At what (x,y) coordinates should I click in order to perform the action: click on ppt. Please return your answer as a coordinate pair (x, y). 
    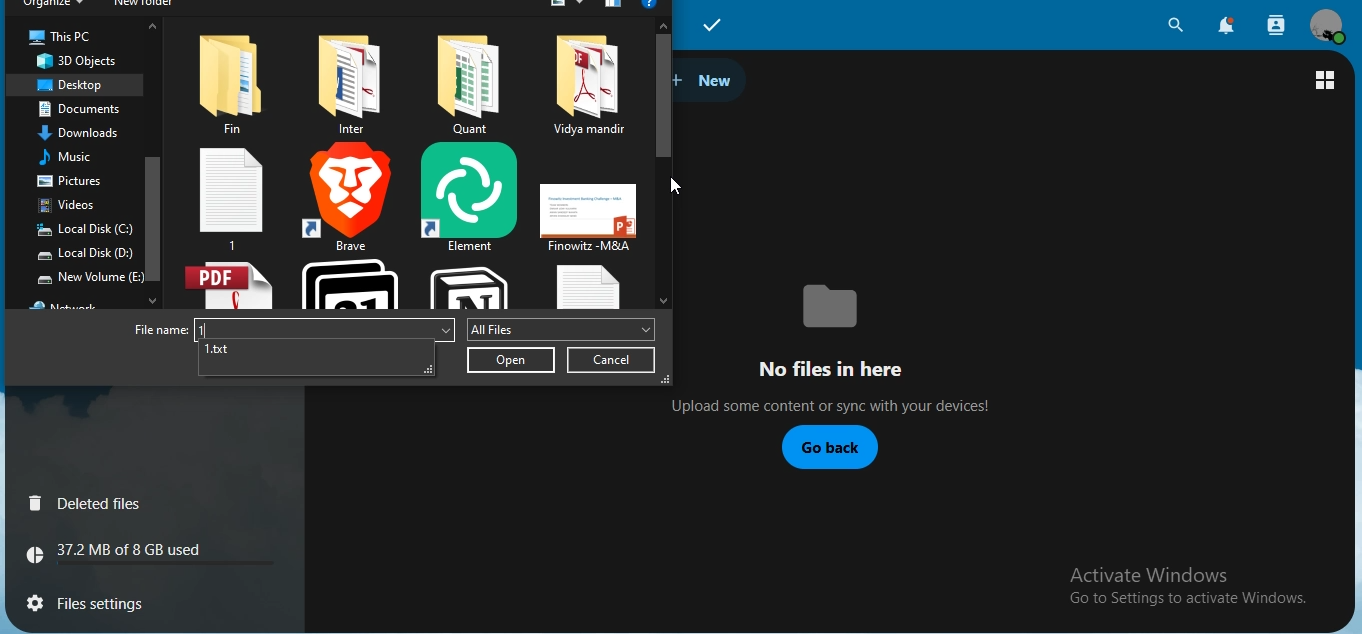
    Looking at the image, I should click on (587, 217).